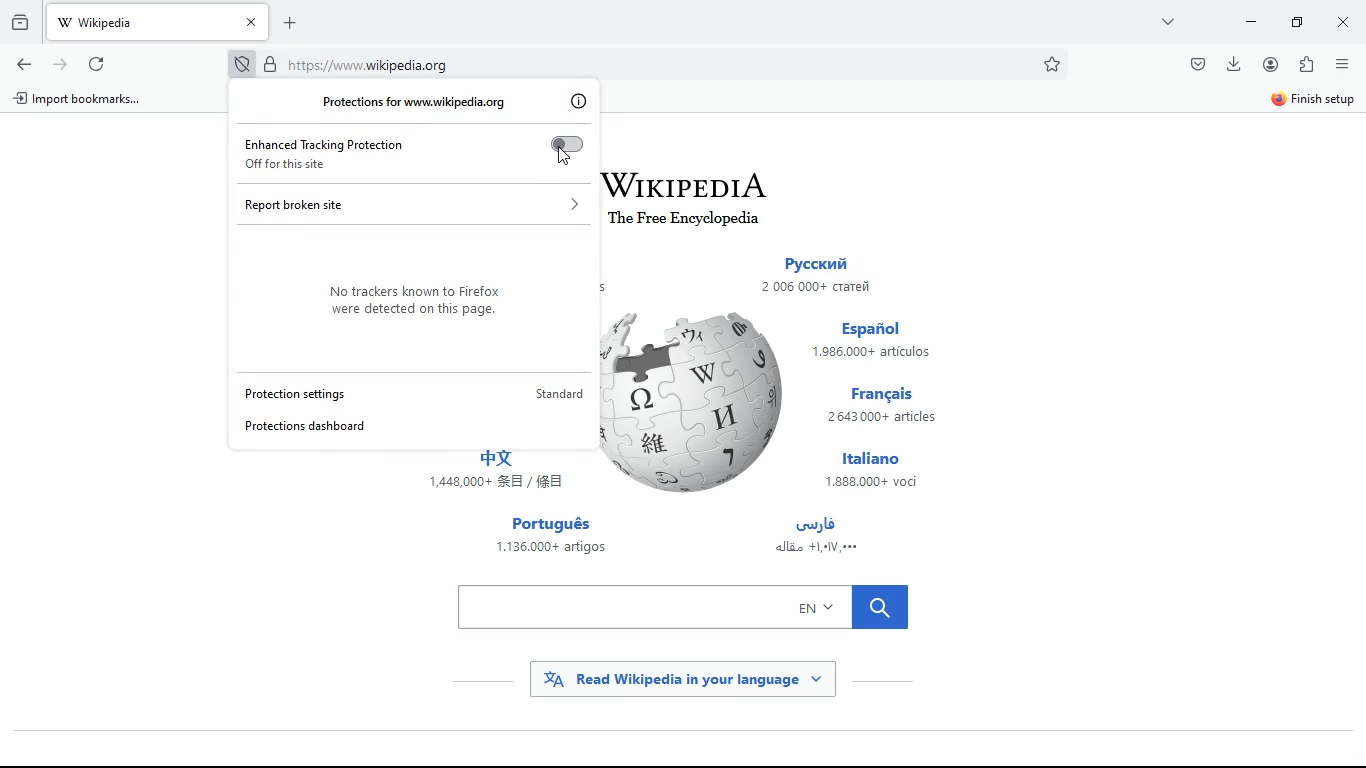 The height and width of the screenshot is (768, 1366). I want to click on japanese, so click(500, 471).